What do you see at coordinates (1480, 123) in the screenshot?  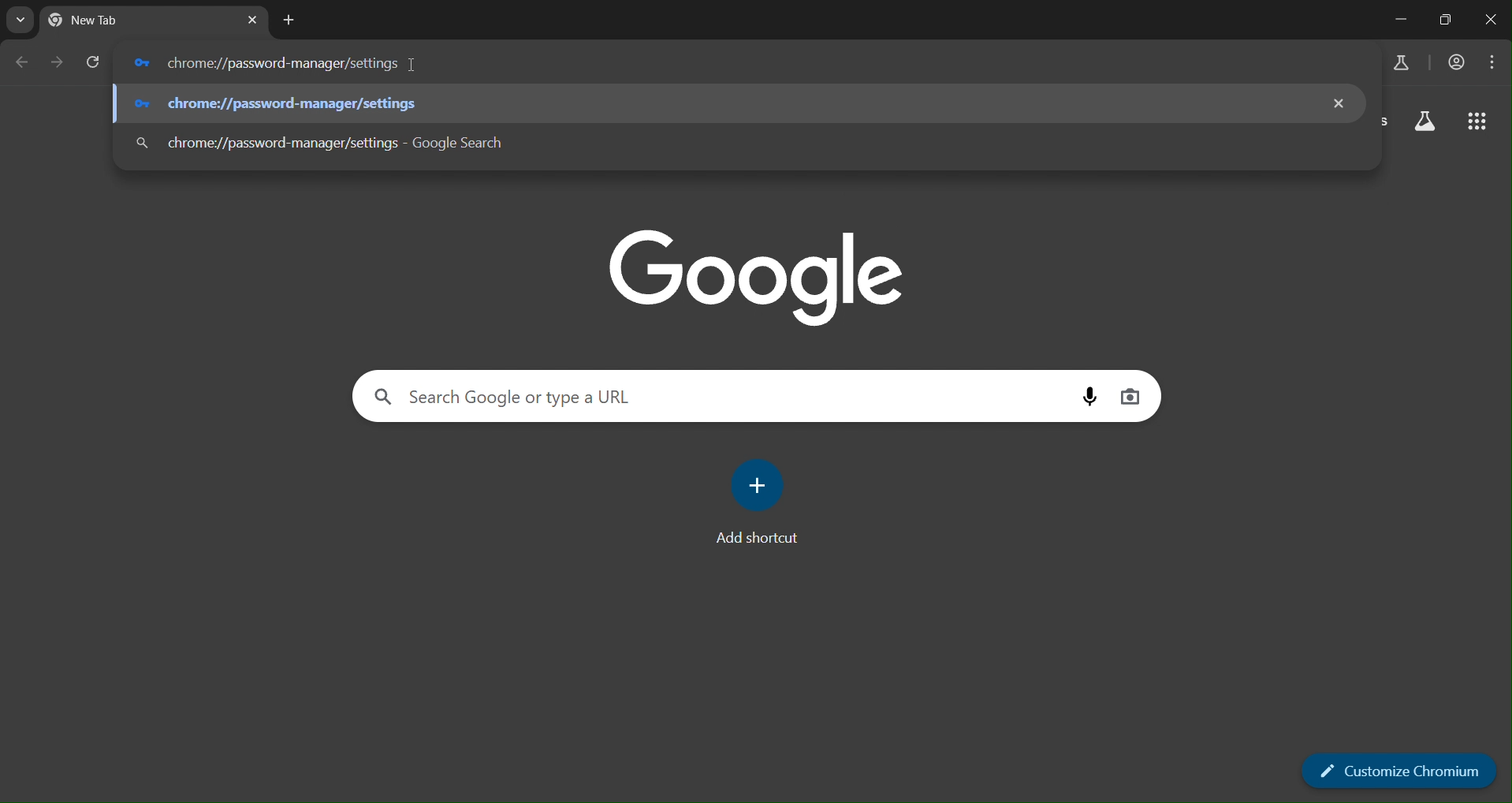 I see `google apps` at bounding box center [1480, 123].